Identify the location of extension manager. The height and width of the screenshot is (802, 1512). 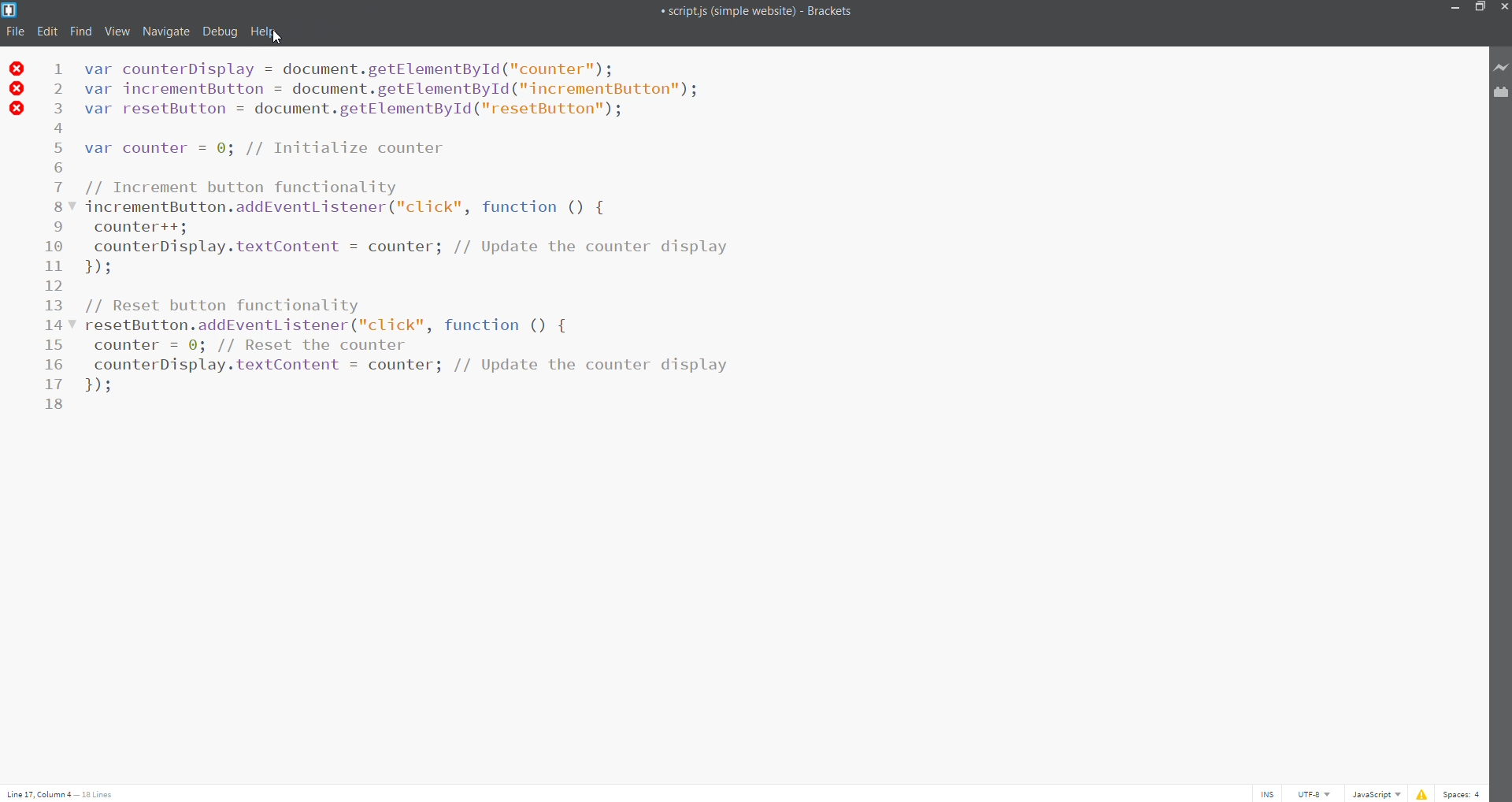
(1502, 94).